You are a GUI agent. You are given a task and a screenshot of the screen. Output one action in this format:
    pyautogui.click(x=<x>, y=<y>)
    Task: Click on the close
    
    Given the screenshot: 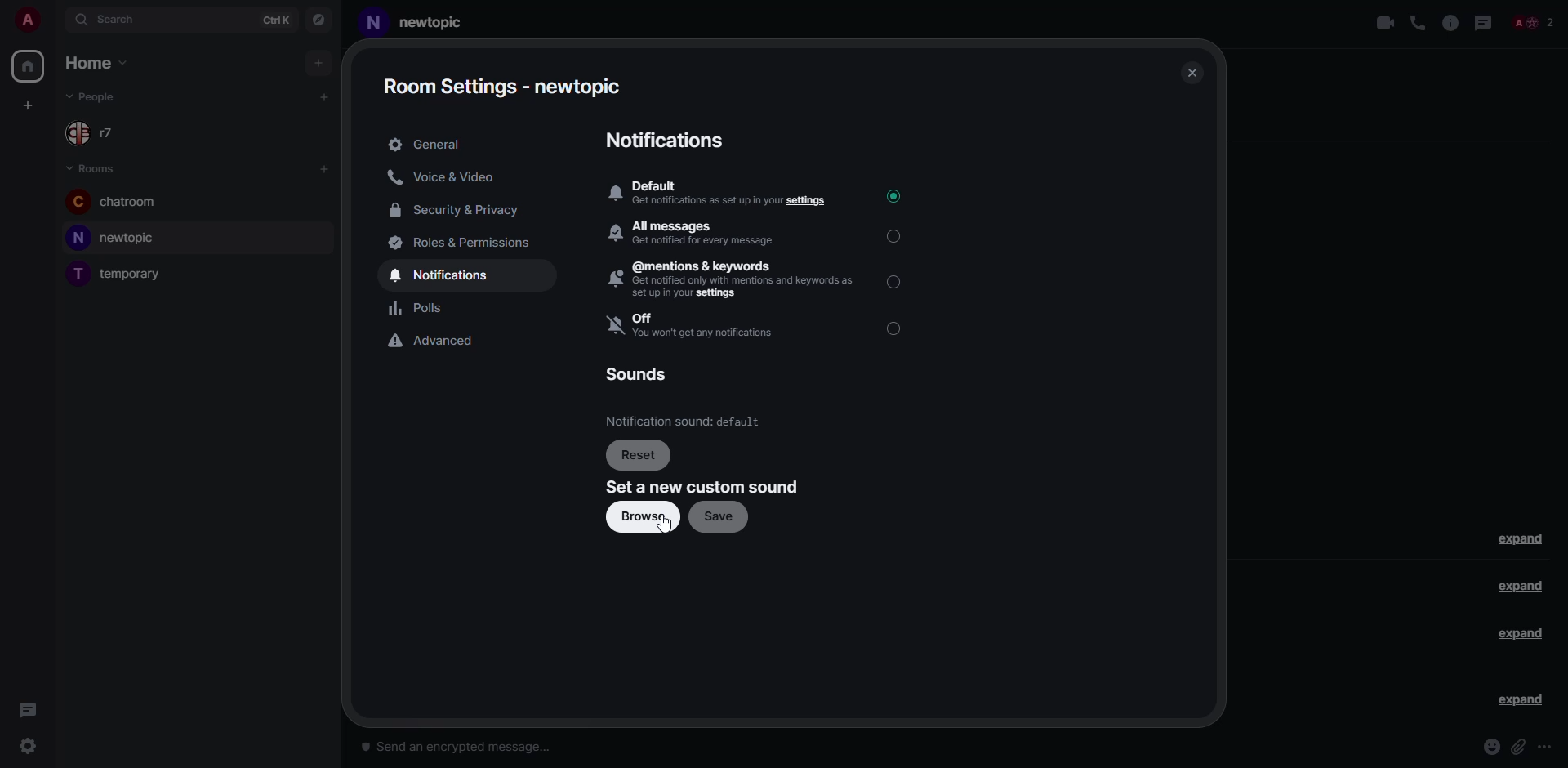 What is the action you would take?
    pyautogui.click(x=1189, y=73)
    